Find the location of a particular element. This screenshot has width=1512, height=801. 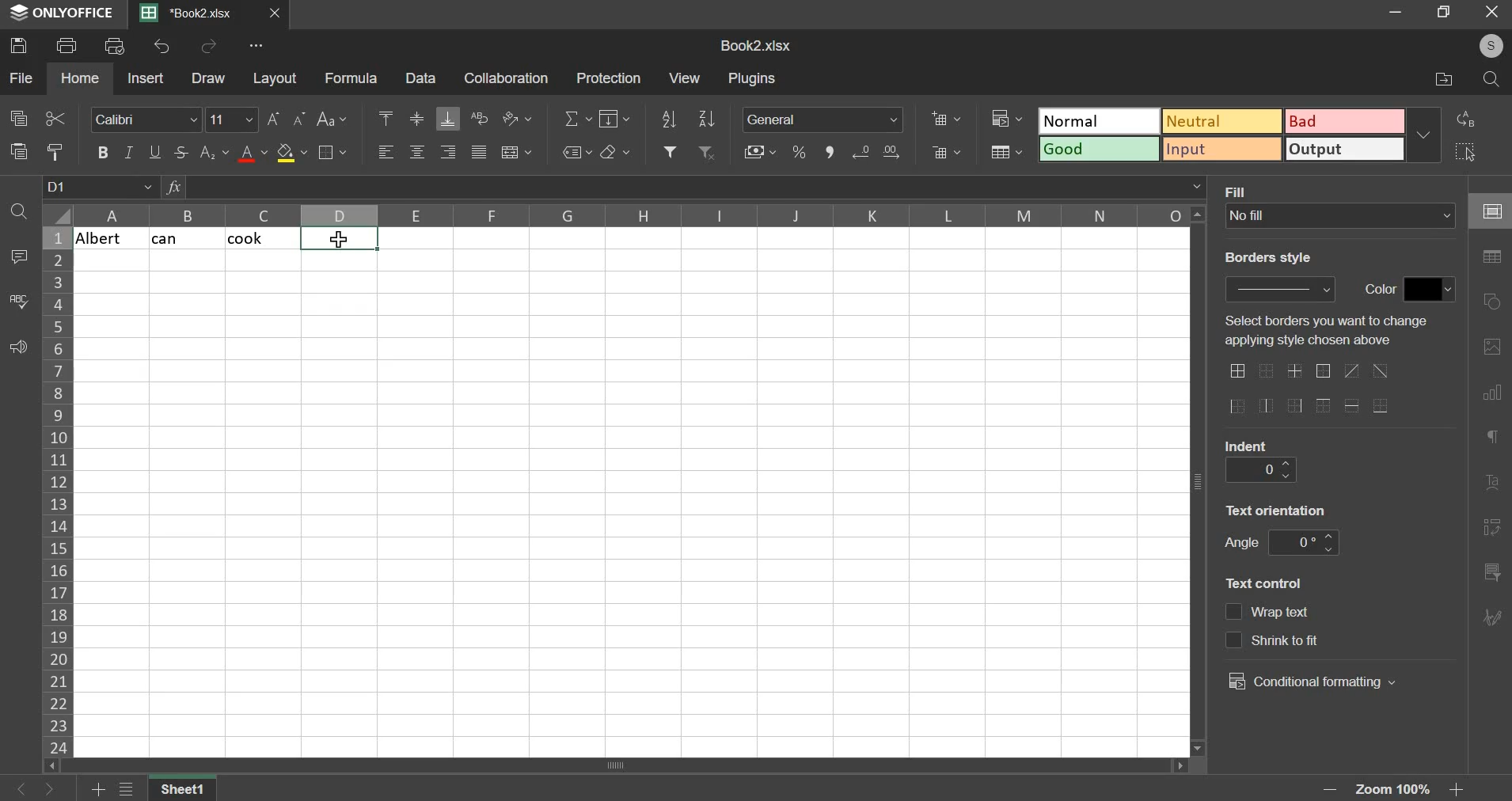

number format is located at coordinates (822, 117).